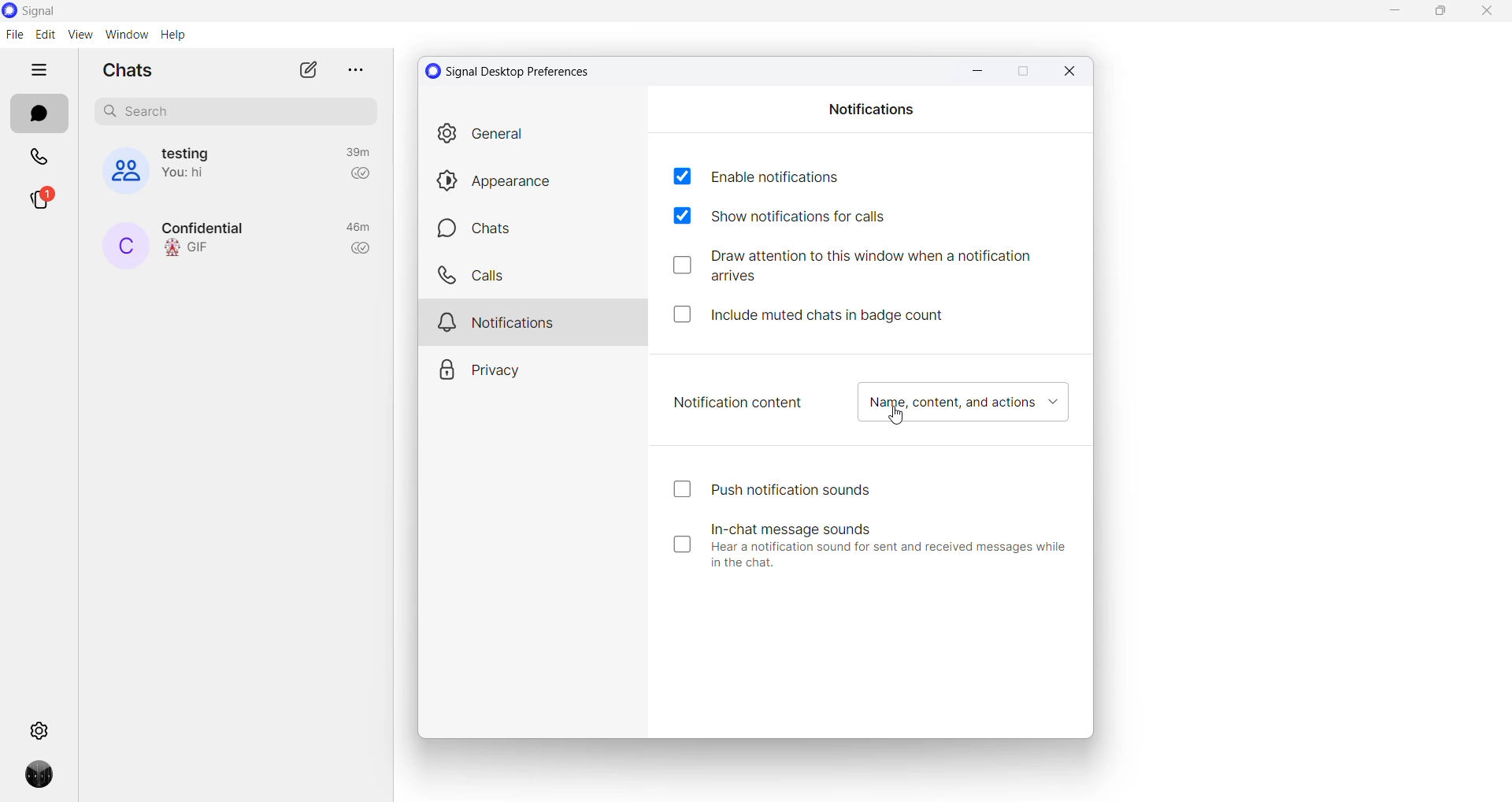 This screenshot has height=802, width=1512. I want to click on window, so click(125, 35).